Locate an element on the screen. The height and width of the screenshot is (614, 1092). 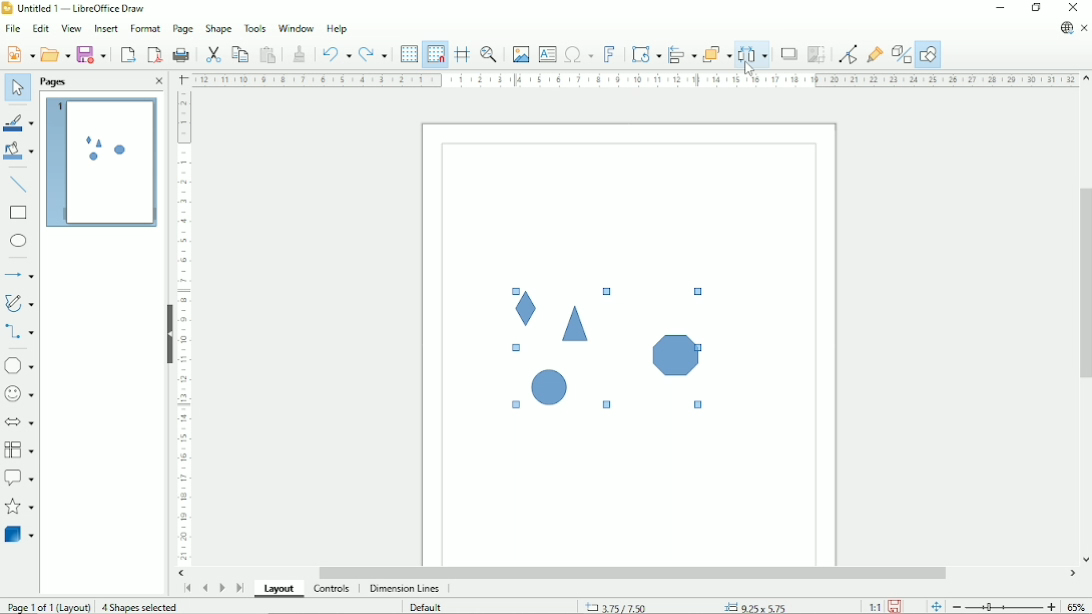
View is located at coordinates (70, 28).